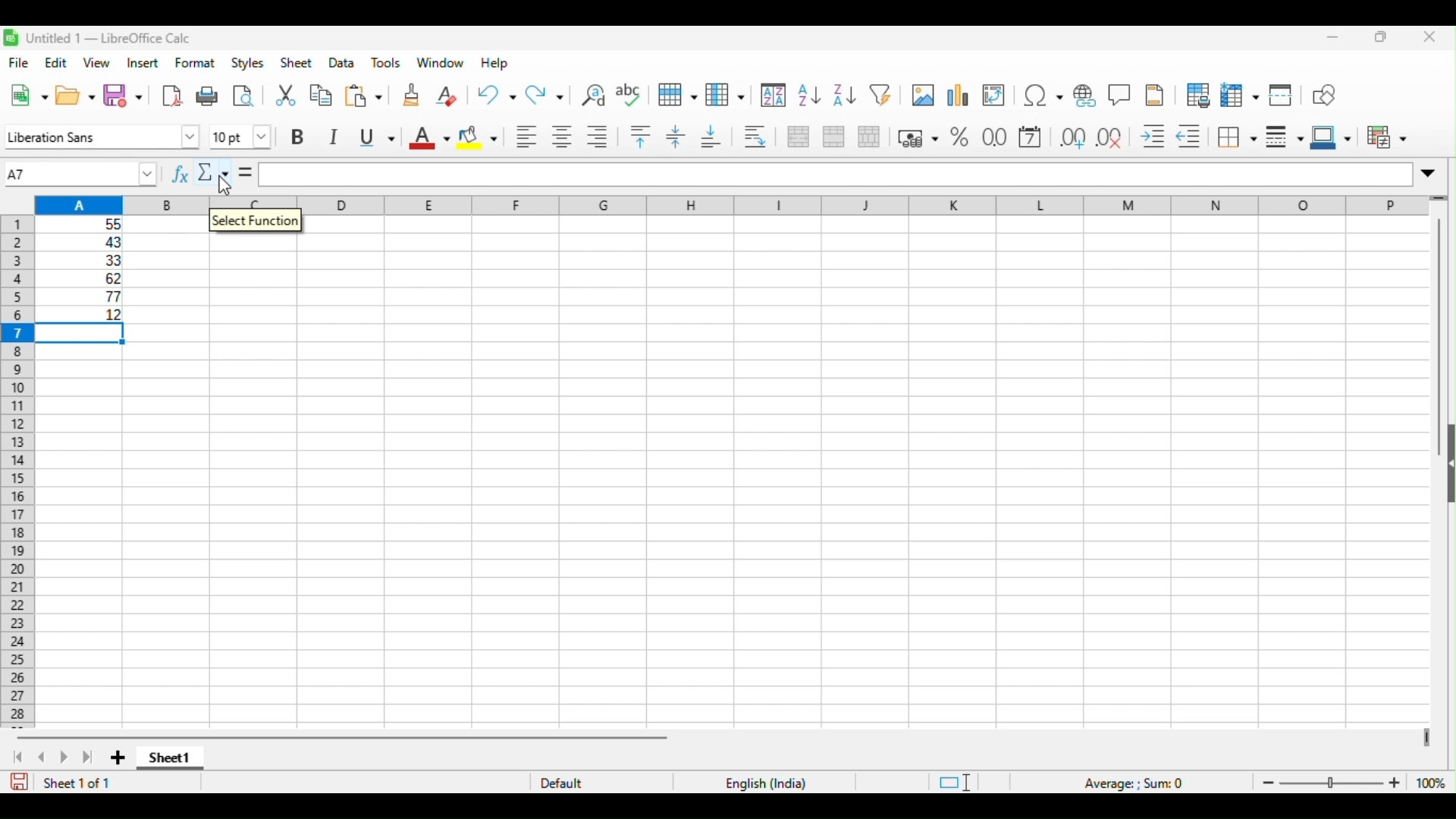  What do you see at coordinates (81, 268) in the screenshot?
I see `range of cells` at bounding box center [81, 268].